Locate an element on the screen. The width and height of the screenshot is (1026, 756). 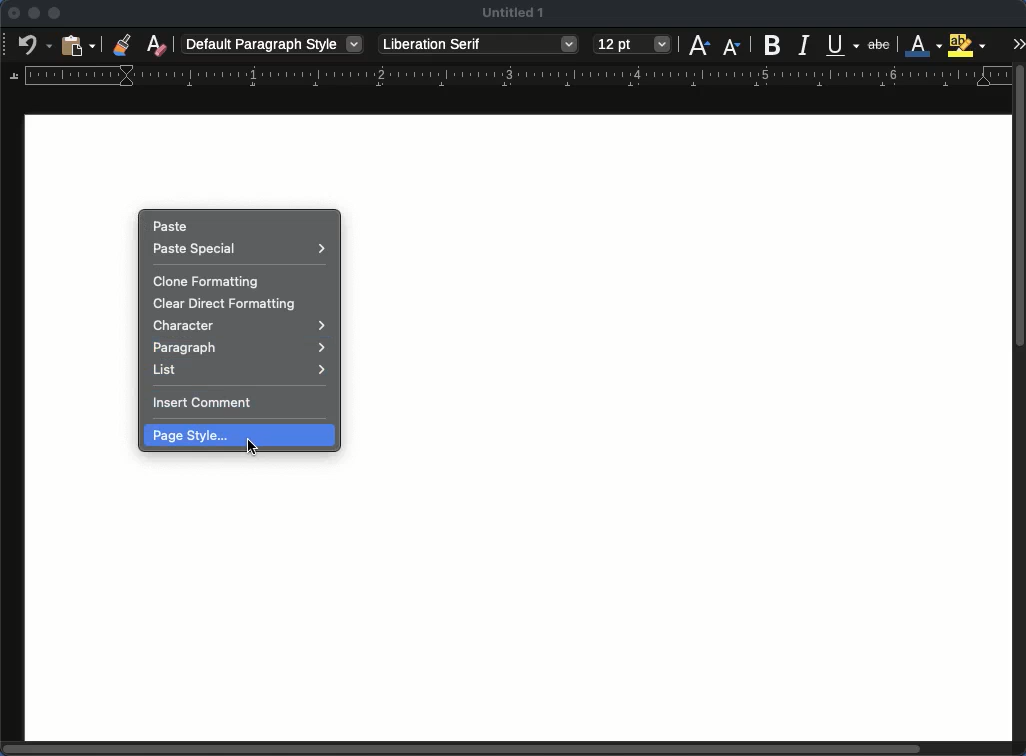
minimize is located at coordinates (33, 14).